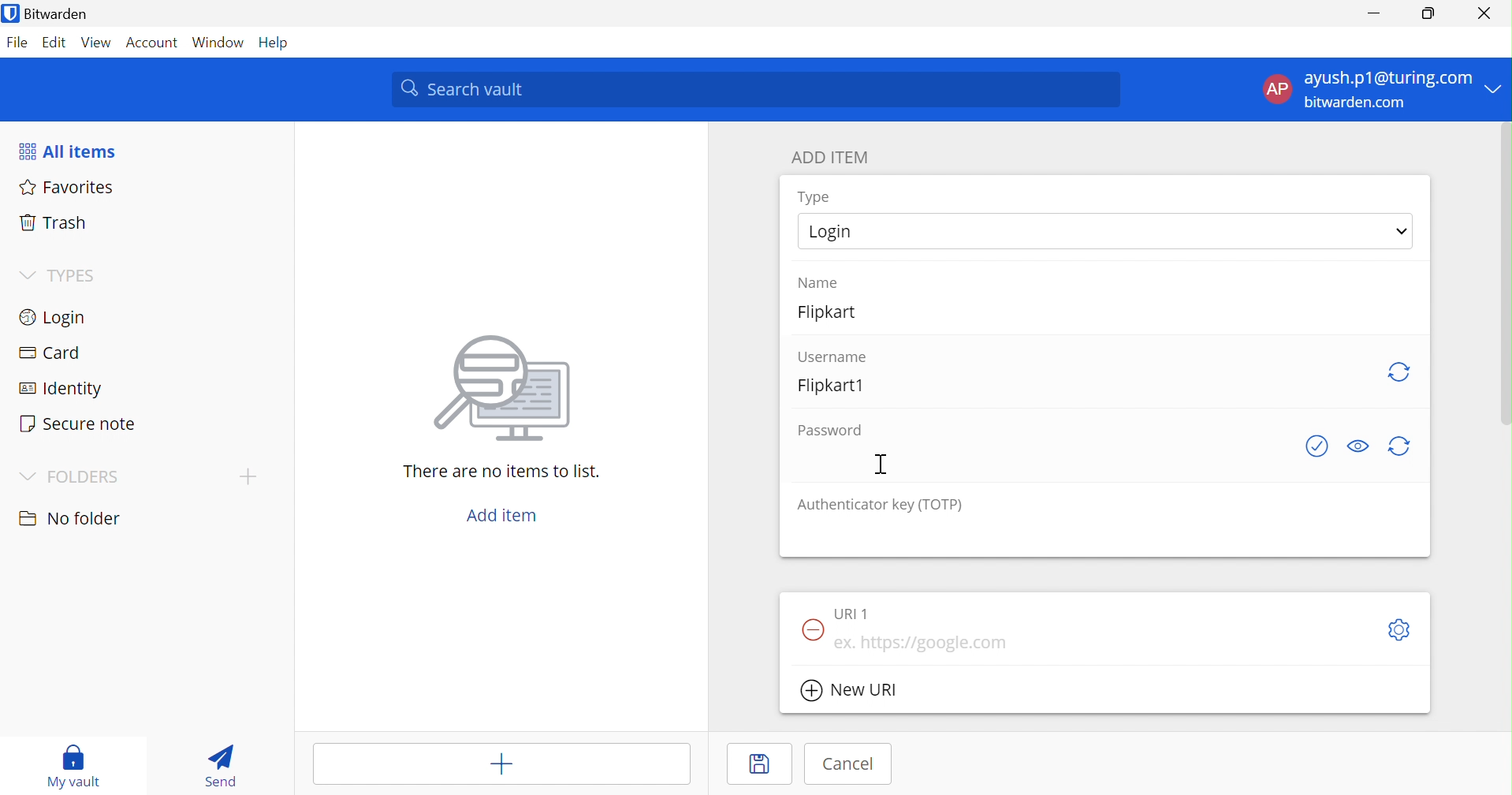  What do you see at coordinates (1400, 370) in the screenshot?
I see `generate username` at bounding box center [1400, 370].